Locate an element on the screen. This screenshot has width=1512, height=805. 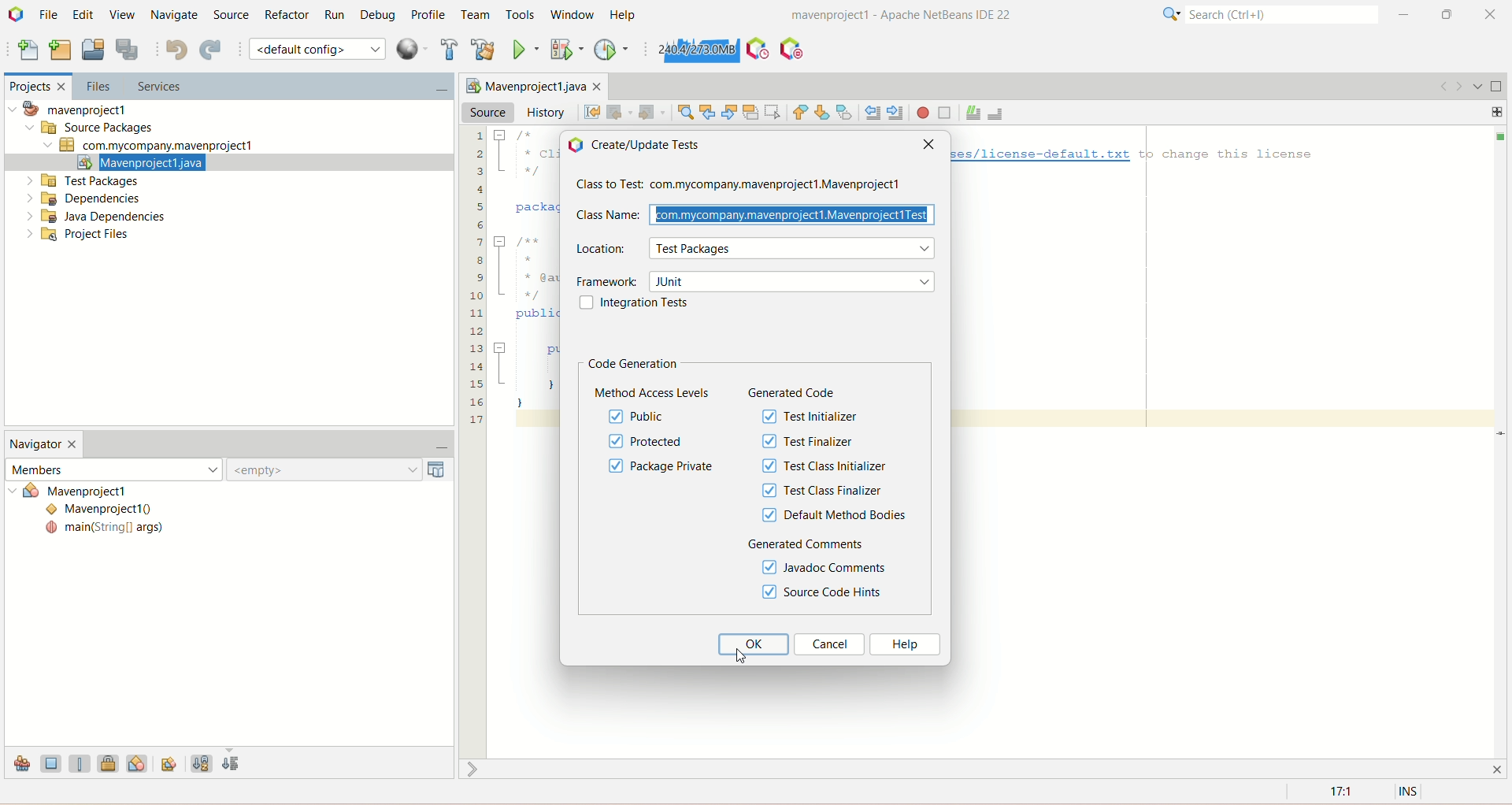
find next occurrence is located at coordinates (731, 110).